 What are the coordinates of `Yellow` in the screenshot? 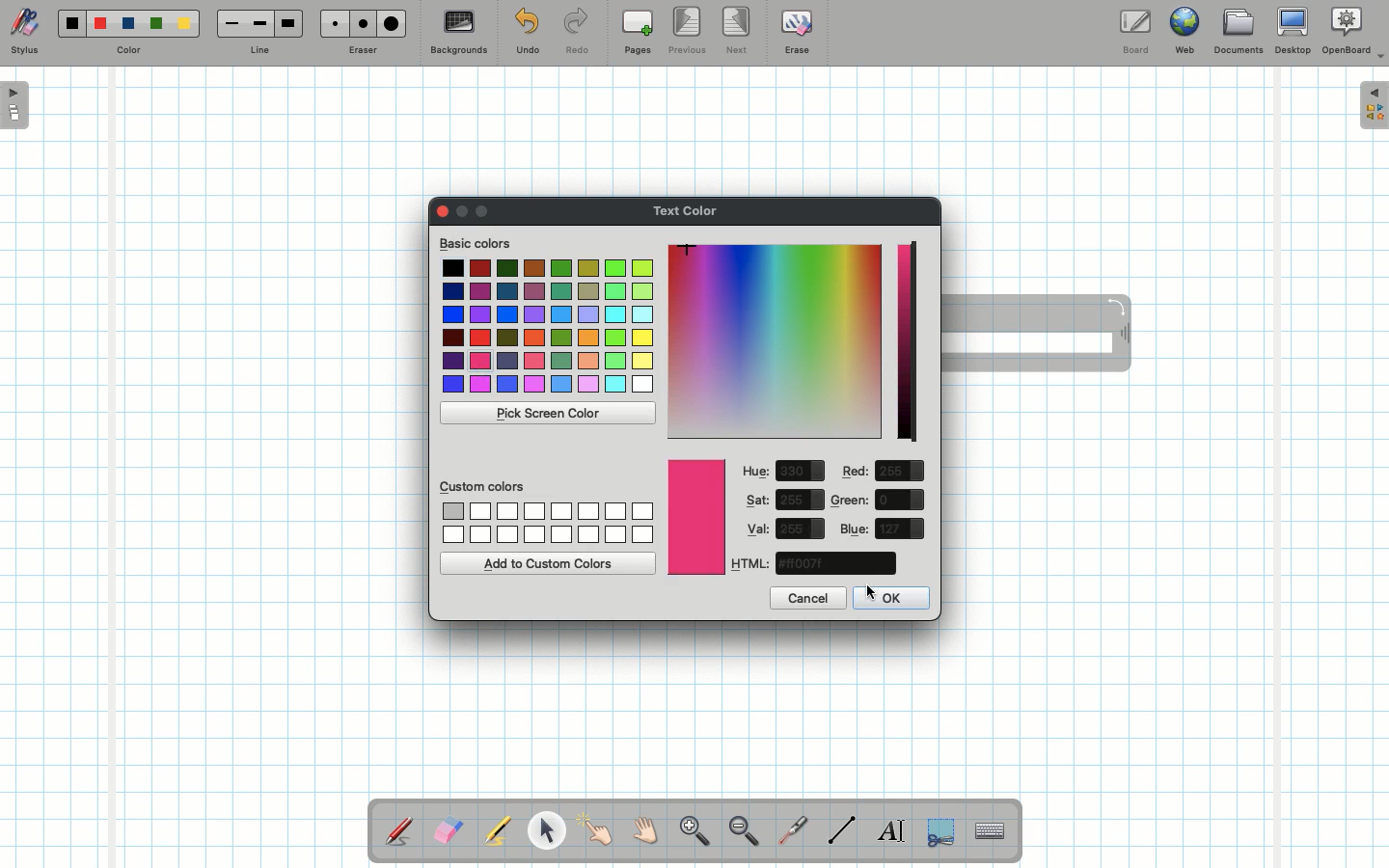 It's located at (184, 23).